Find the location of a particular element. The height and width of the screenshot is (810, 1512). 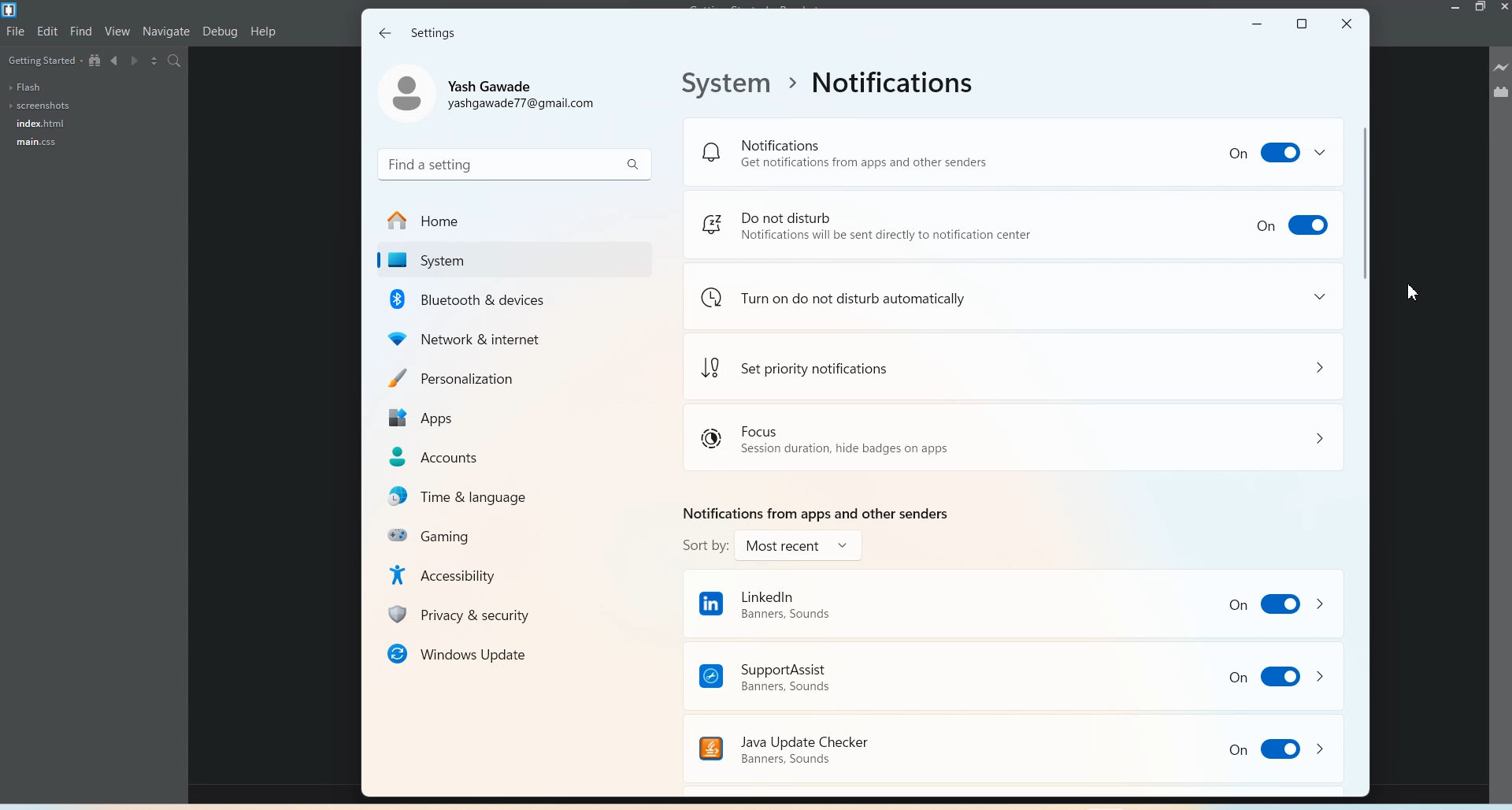

Find is located at coordinates (82, 31).